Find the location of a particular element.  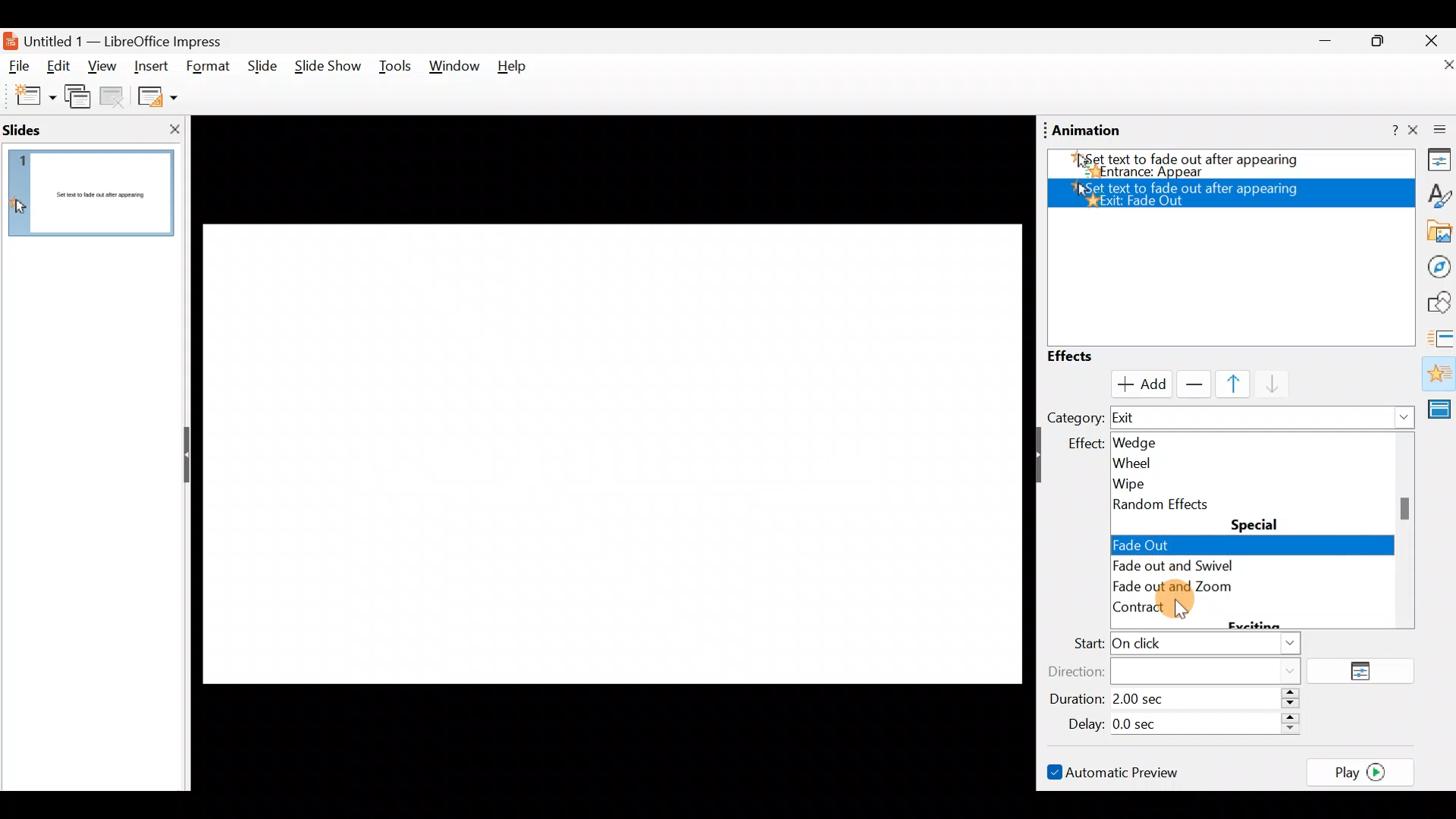

Gallery is located at coordinates (1436, 232).